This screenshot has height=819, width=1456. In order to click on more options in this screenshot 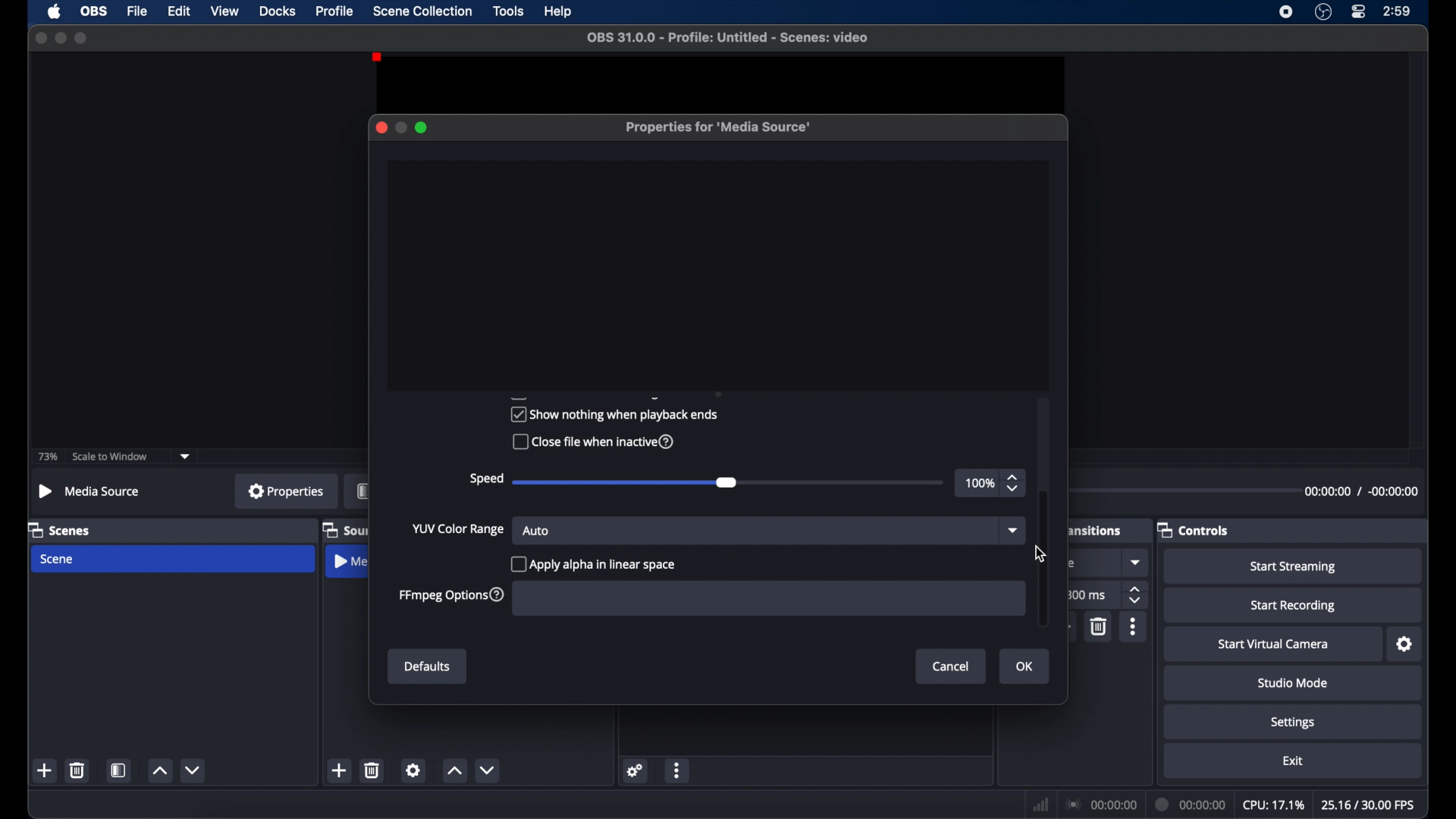, I will do `click(1134, 627)`.